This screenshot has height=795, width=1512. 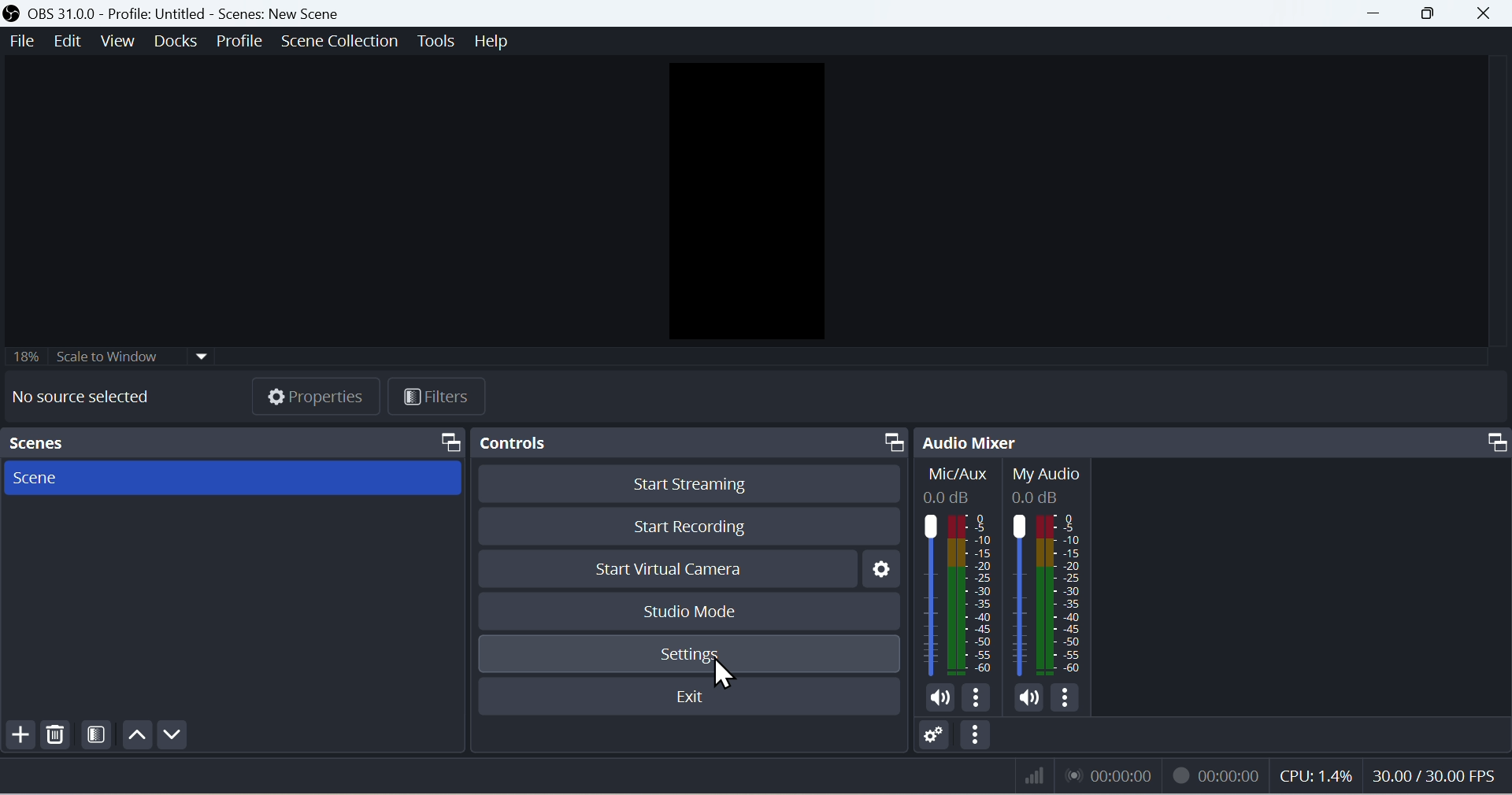 I want to click on Add, so click(x=18, y=738).